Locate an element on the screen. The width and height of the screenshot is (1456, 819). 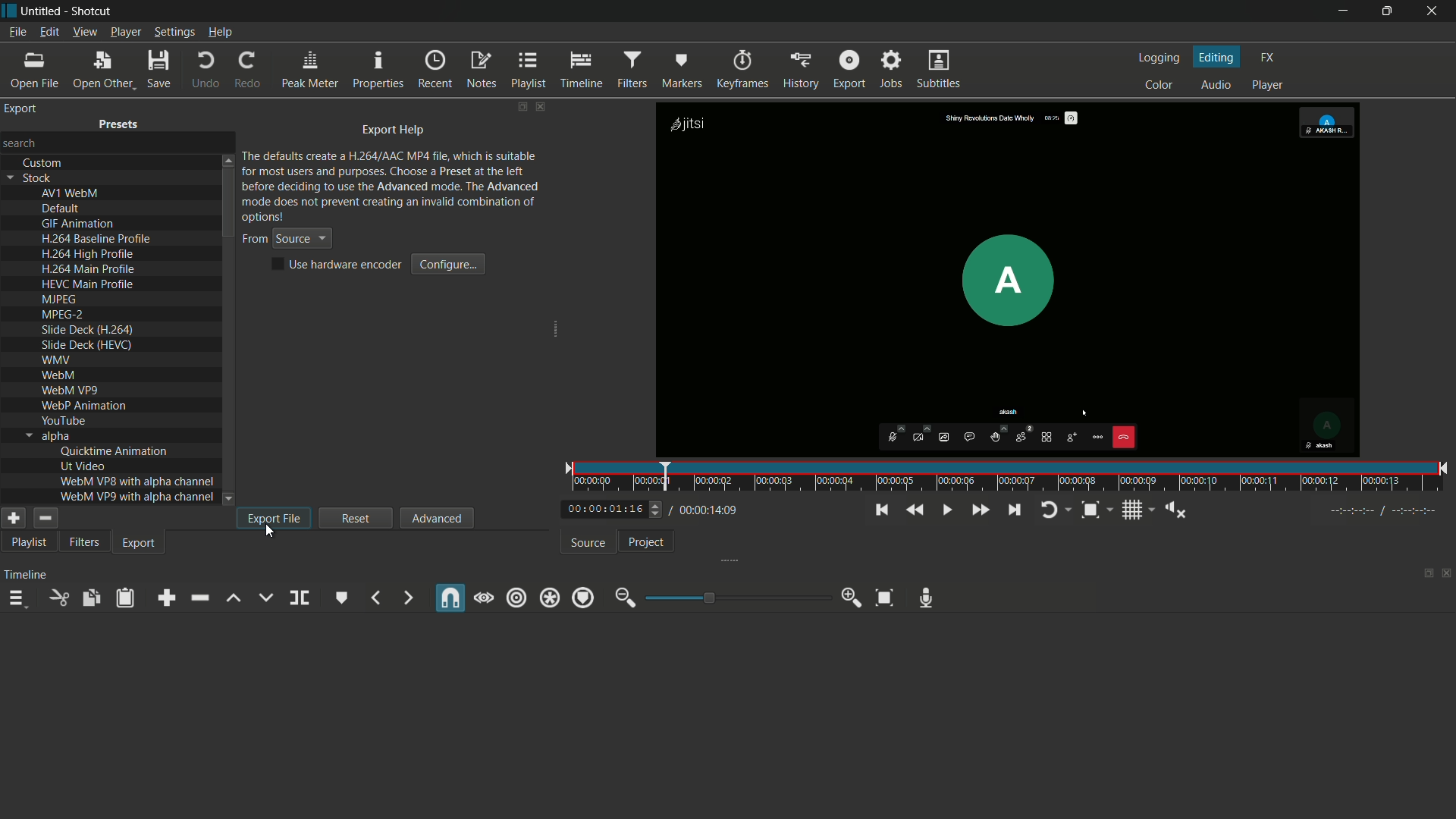
markers is located at coordinates (682, 71).